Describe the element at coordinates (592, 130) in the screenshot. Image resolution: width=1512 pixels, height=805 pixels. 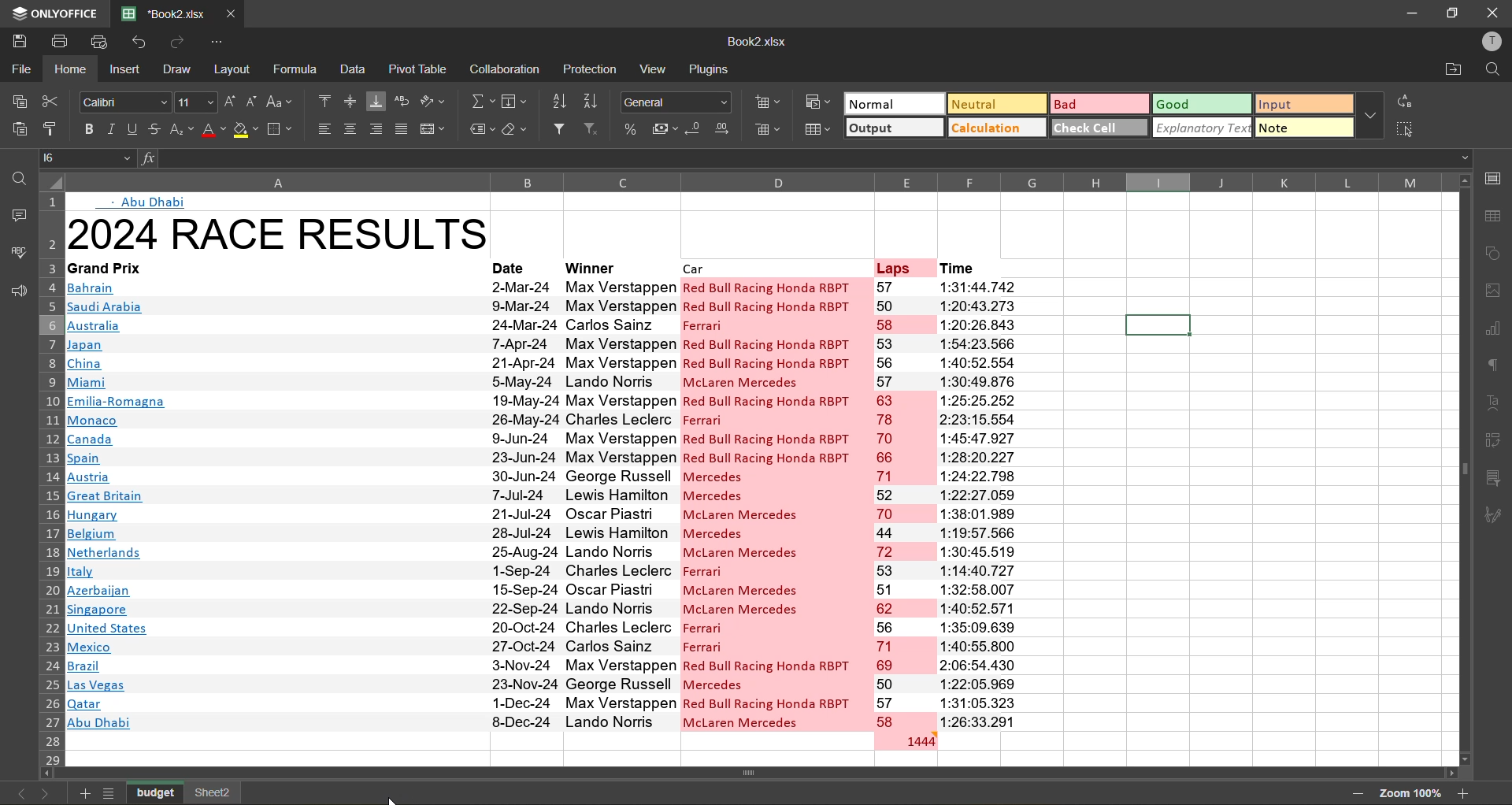
I see `clear filter` at that location.